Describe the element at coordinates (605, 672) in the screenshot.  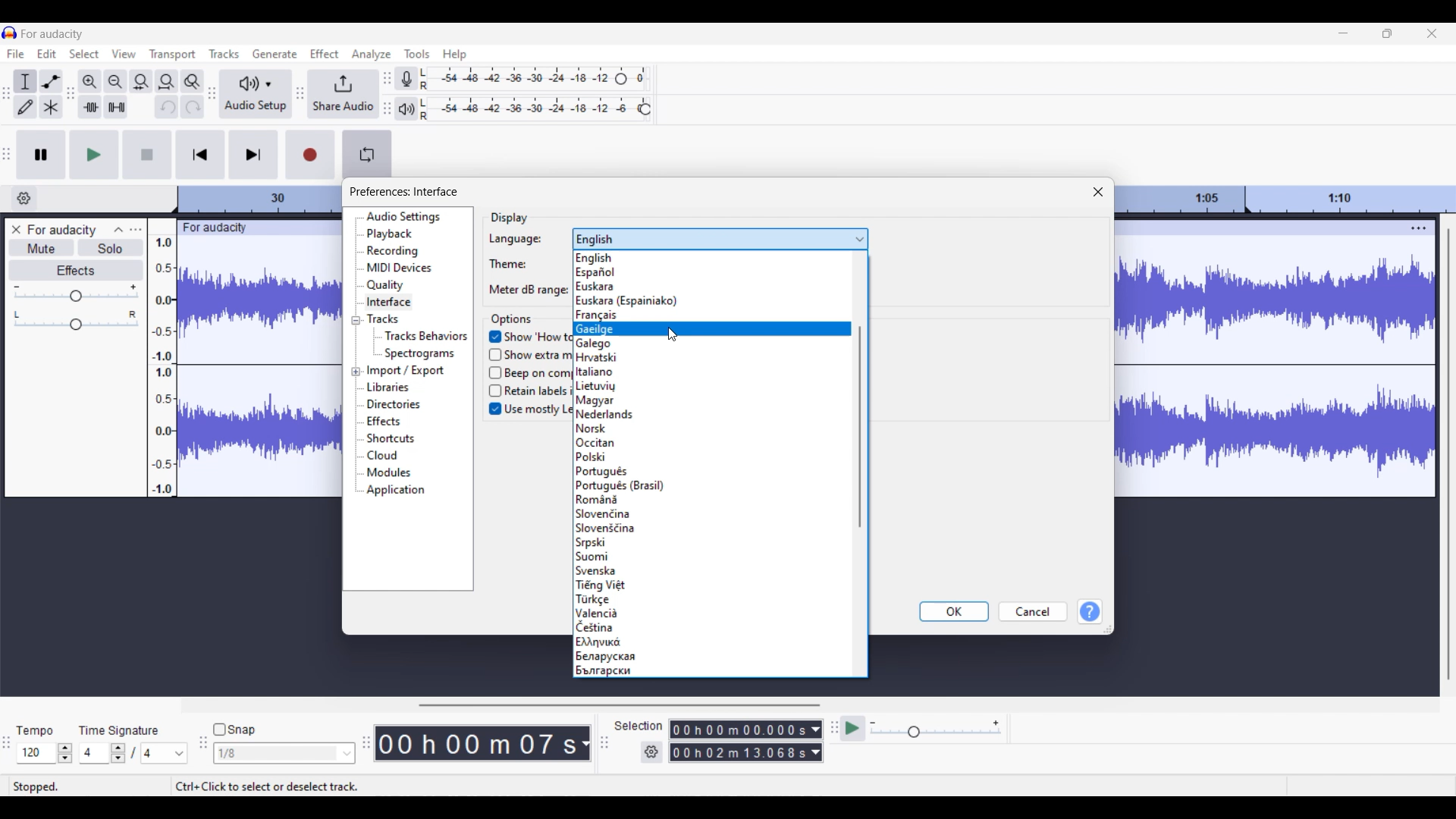
I see `bwarapckn` at that location.